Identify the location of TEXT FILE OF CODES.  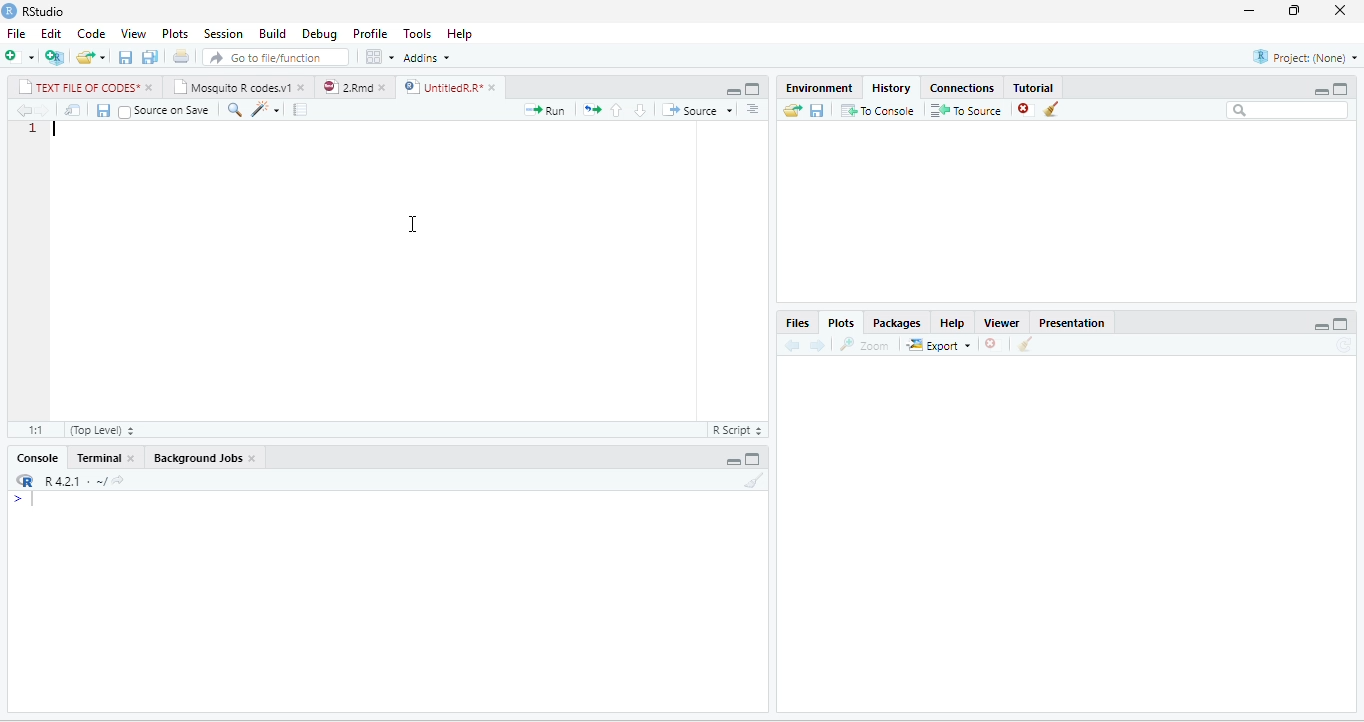
(78, 87).